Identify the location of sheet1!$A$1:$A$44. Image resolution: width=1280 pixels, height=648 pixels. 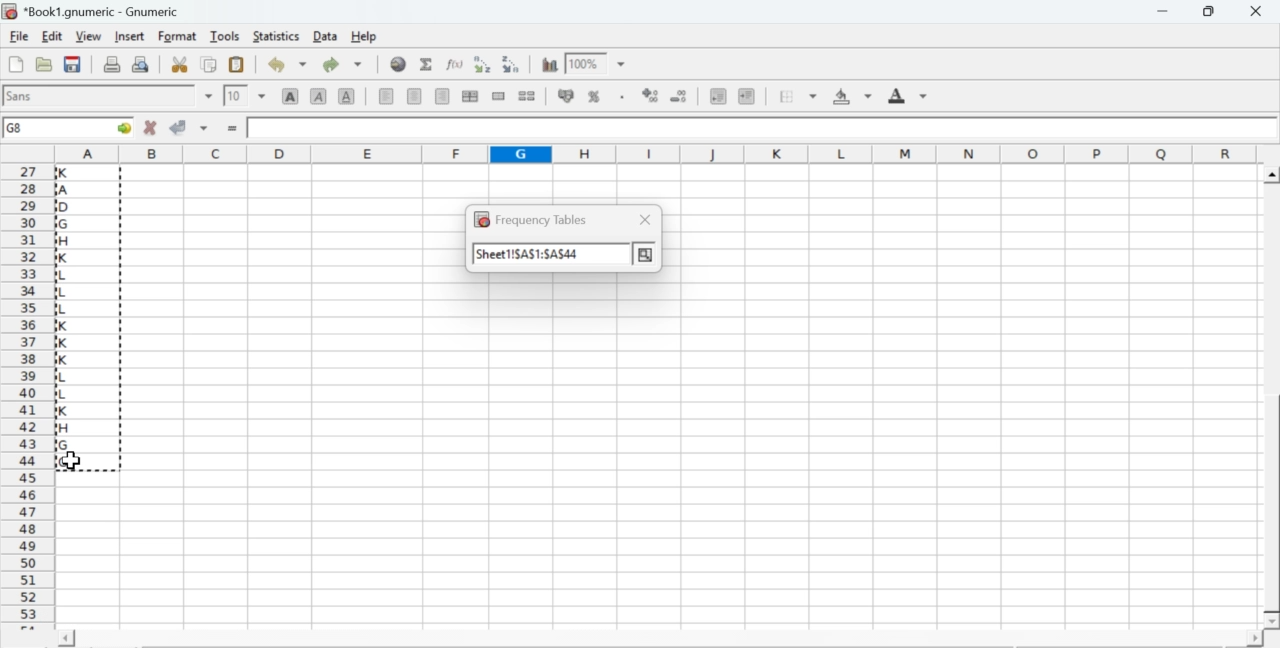
(528, 254).